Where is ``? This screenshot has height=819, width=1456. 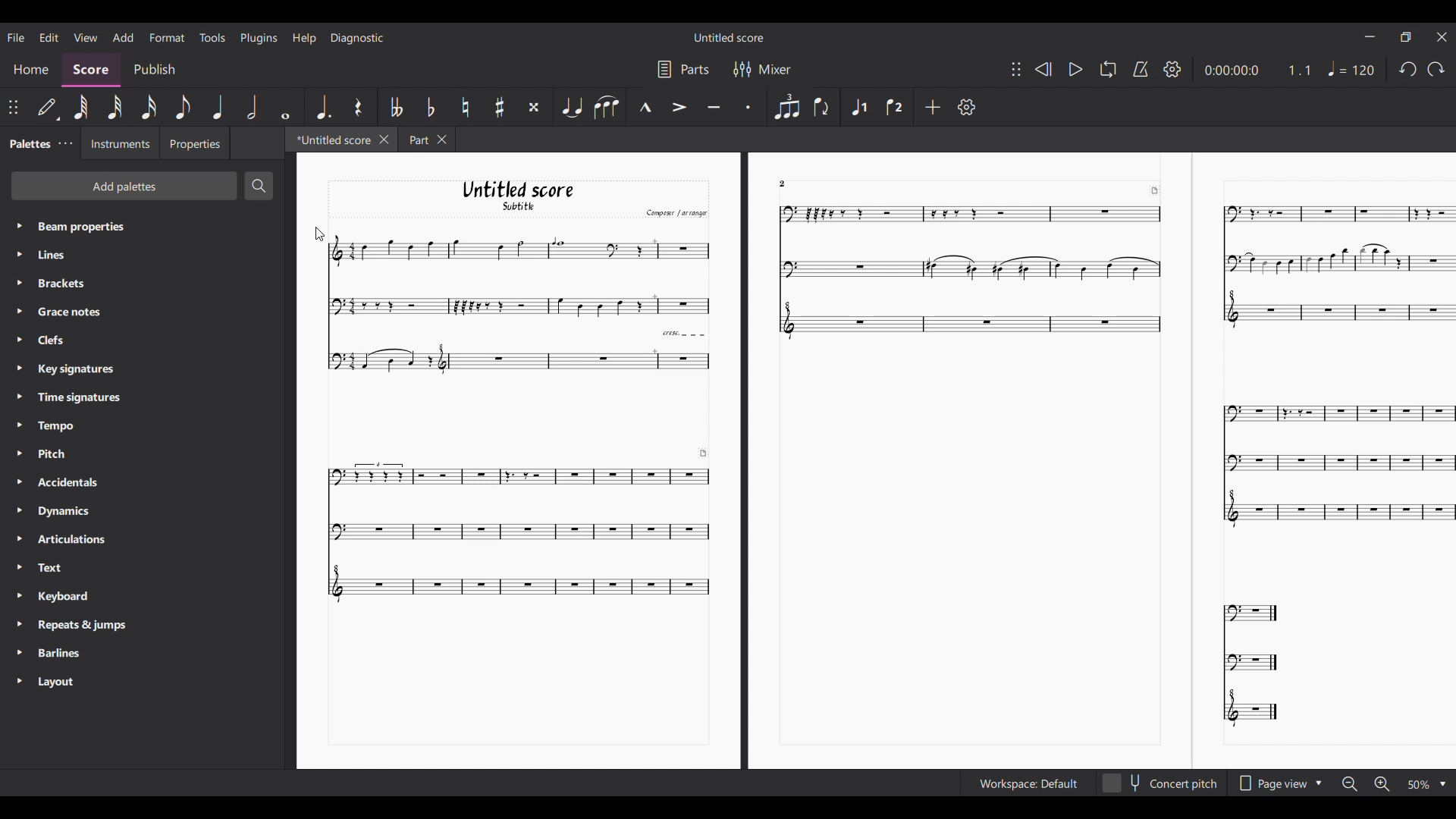
 is located at coordinates (1339, 463).